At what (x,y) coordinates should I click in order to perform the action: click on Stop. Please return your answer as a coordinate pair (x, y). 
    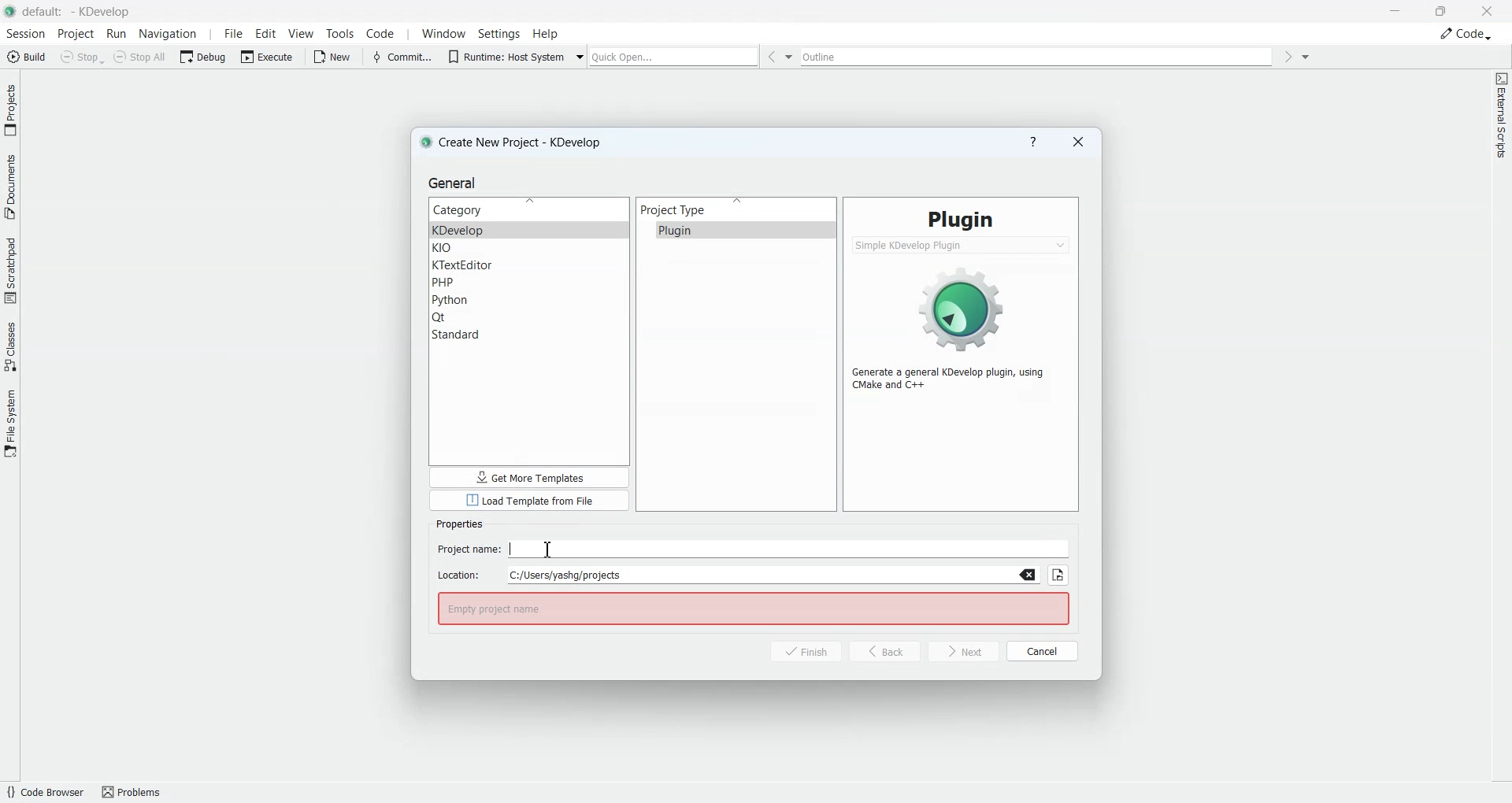
    Looking at the image, I should click on (82, 57).